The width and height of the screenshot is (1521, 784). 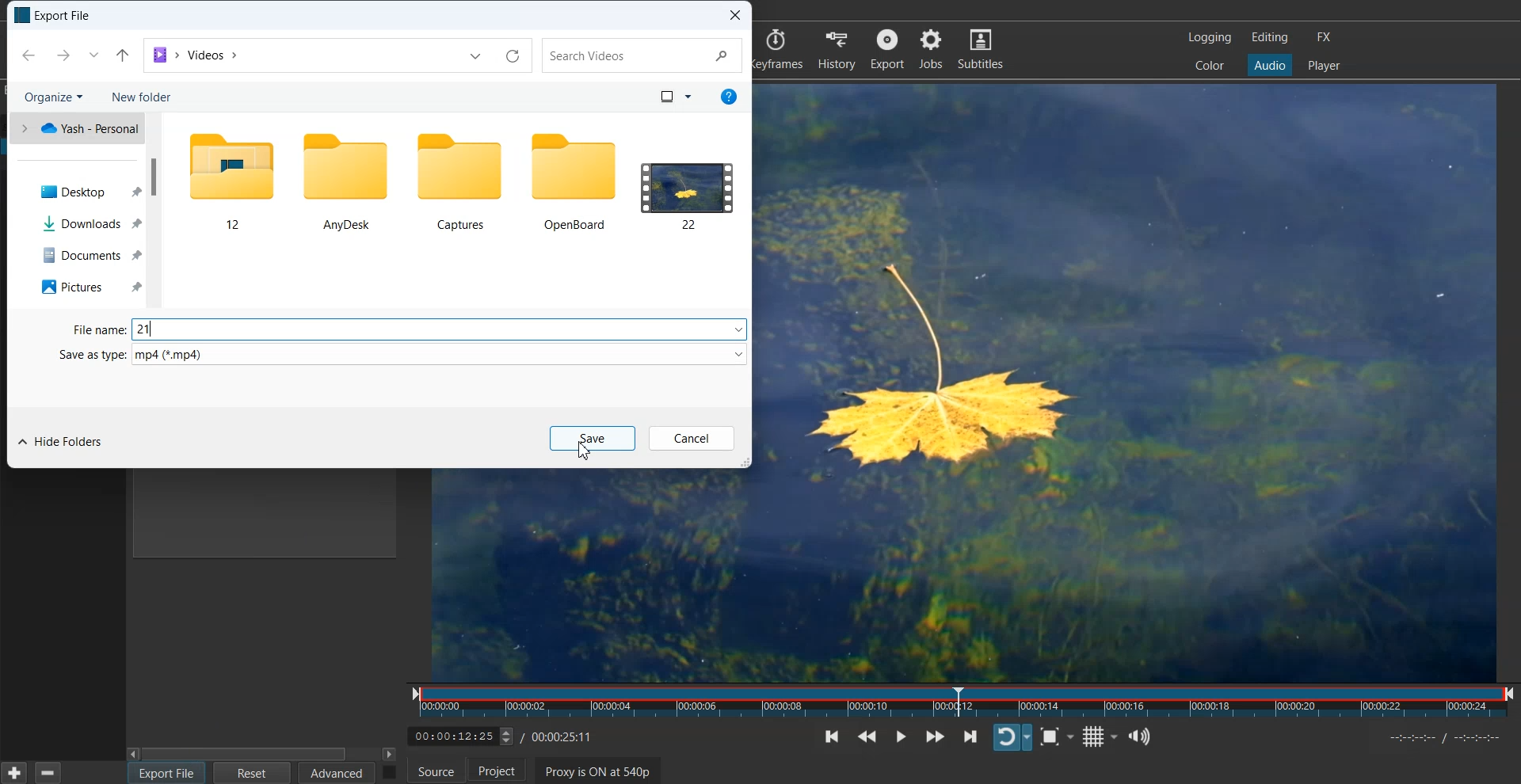 I want to click on search videos, so click(x=642, y=55).